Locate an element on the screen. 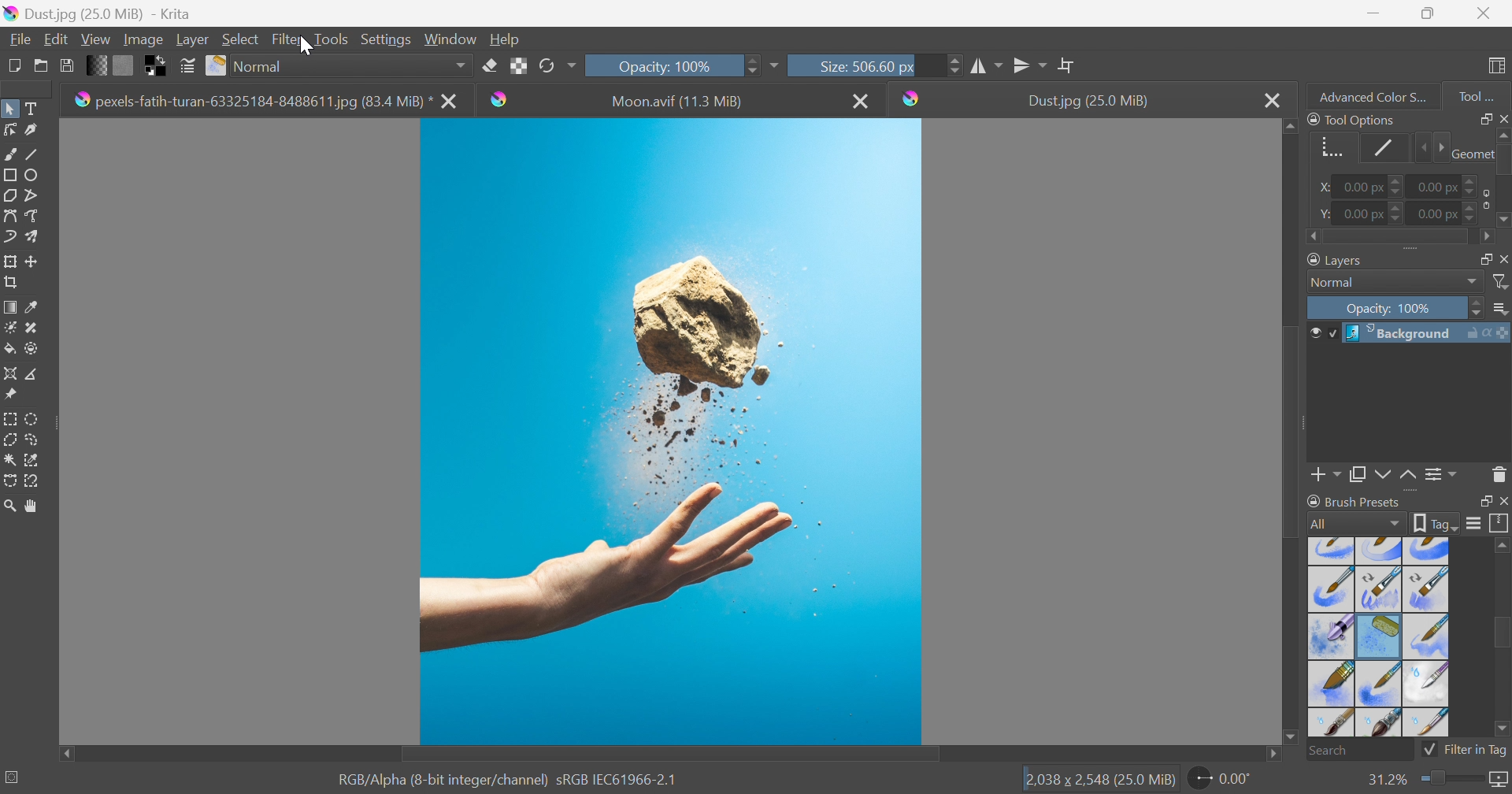 This screenshot has height=794, width=1512. Sample a color from an image or current layer is located at coordinates (32, 307).